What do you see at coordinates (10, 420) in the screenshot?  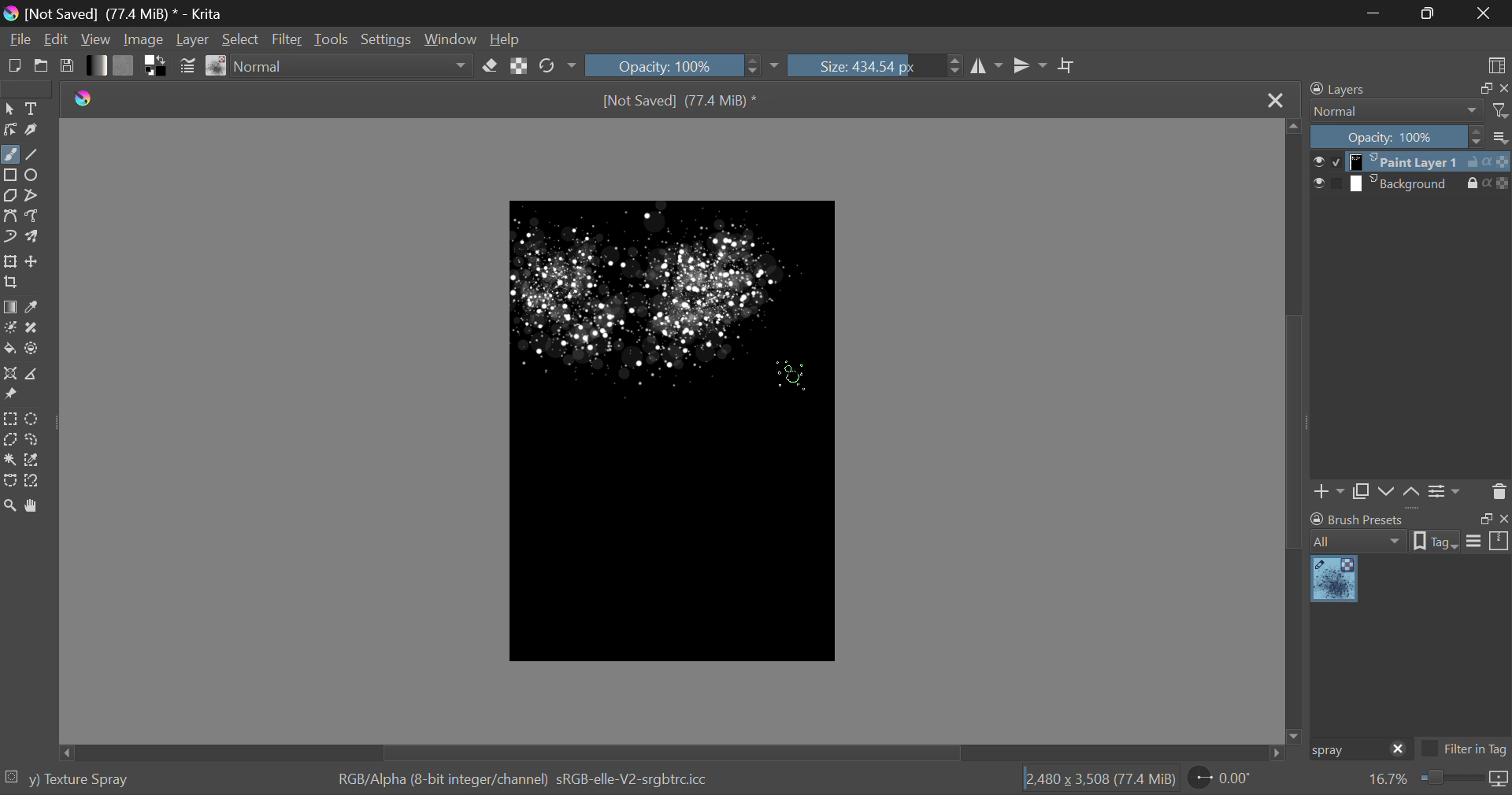 I see `Rectangular Selection` at bounding box center [10, 420].